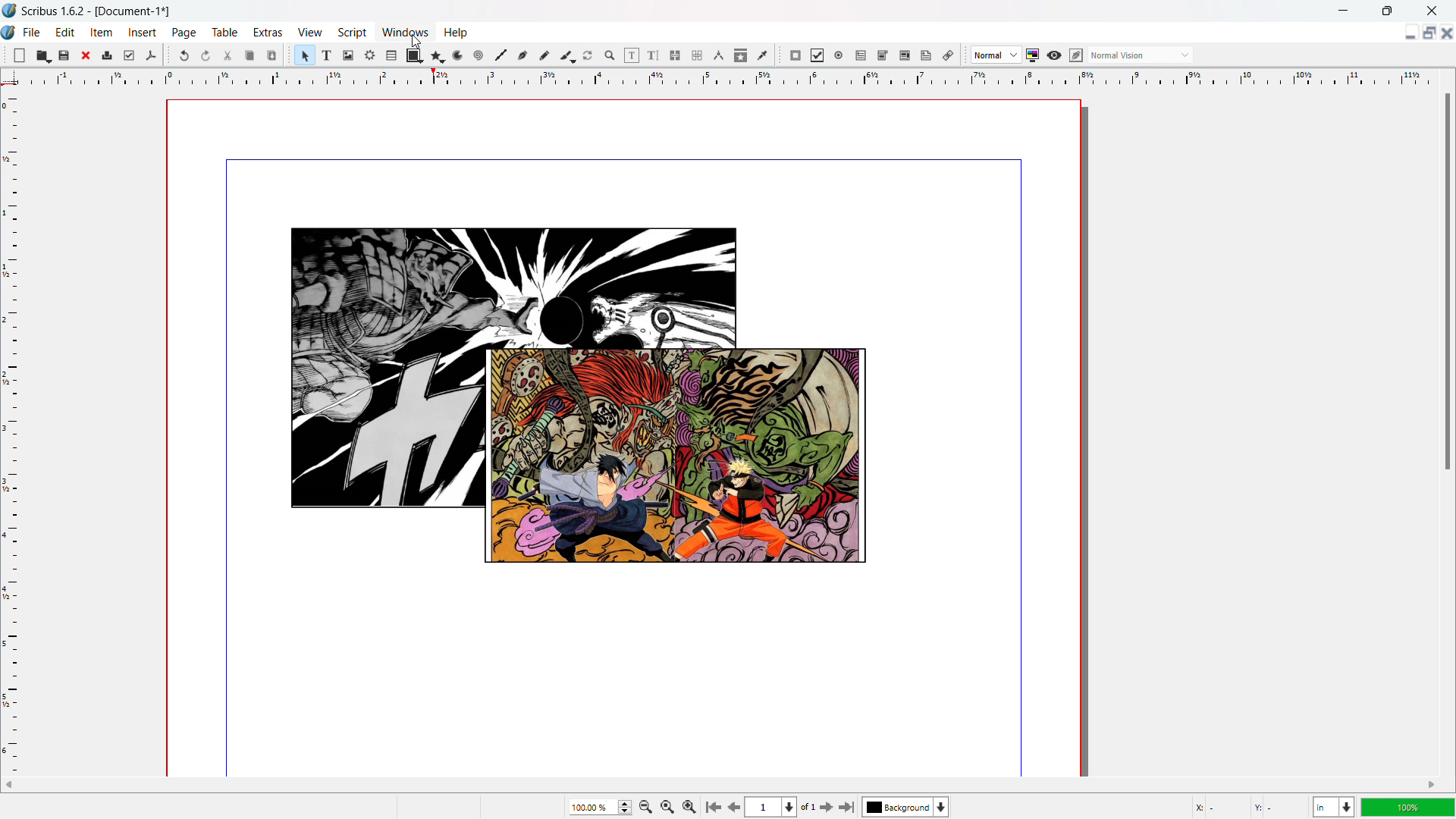 The width and height of the screenshot is (1456, 819). What do you see at coordinates (712, 805) in the screenshot?
I see `go to first page` at bounding box center [712, 805].